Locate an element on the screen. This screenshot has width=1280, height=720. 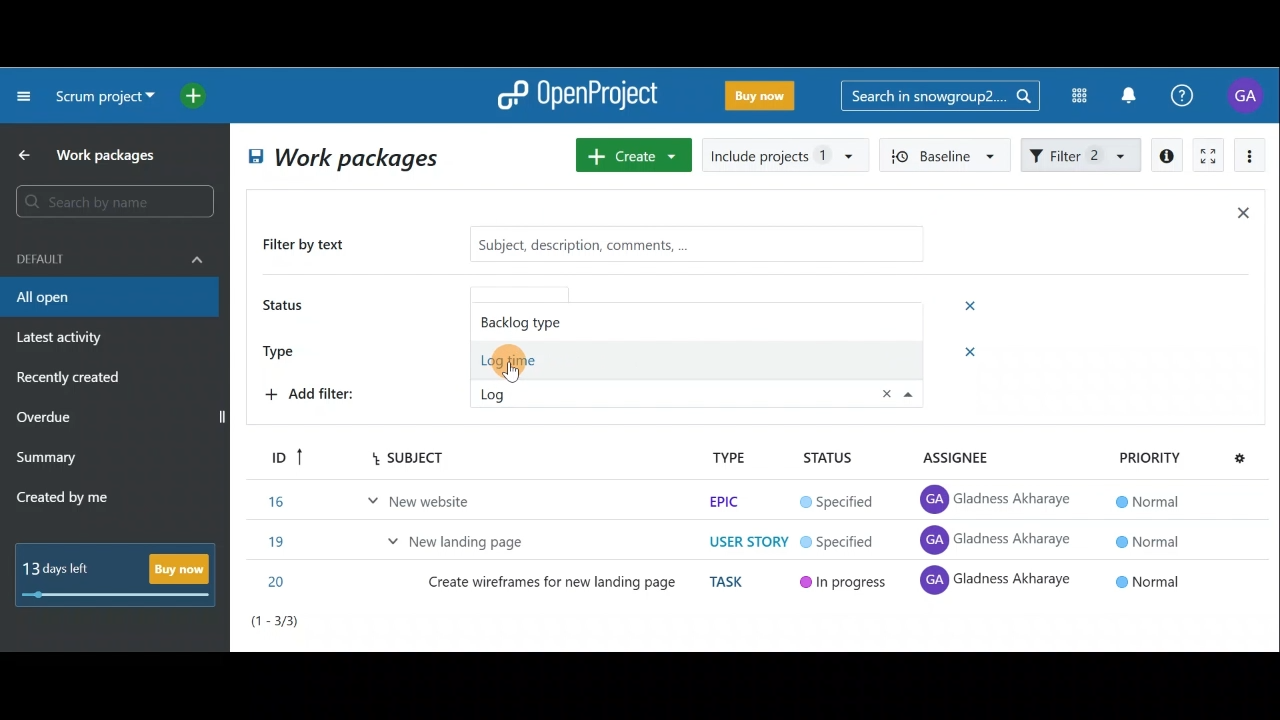
normal is located at coordinates (1150, 580).